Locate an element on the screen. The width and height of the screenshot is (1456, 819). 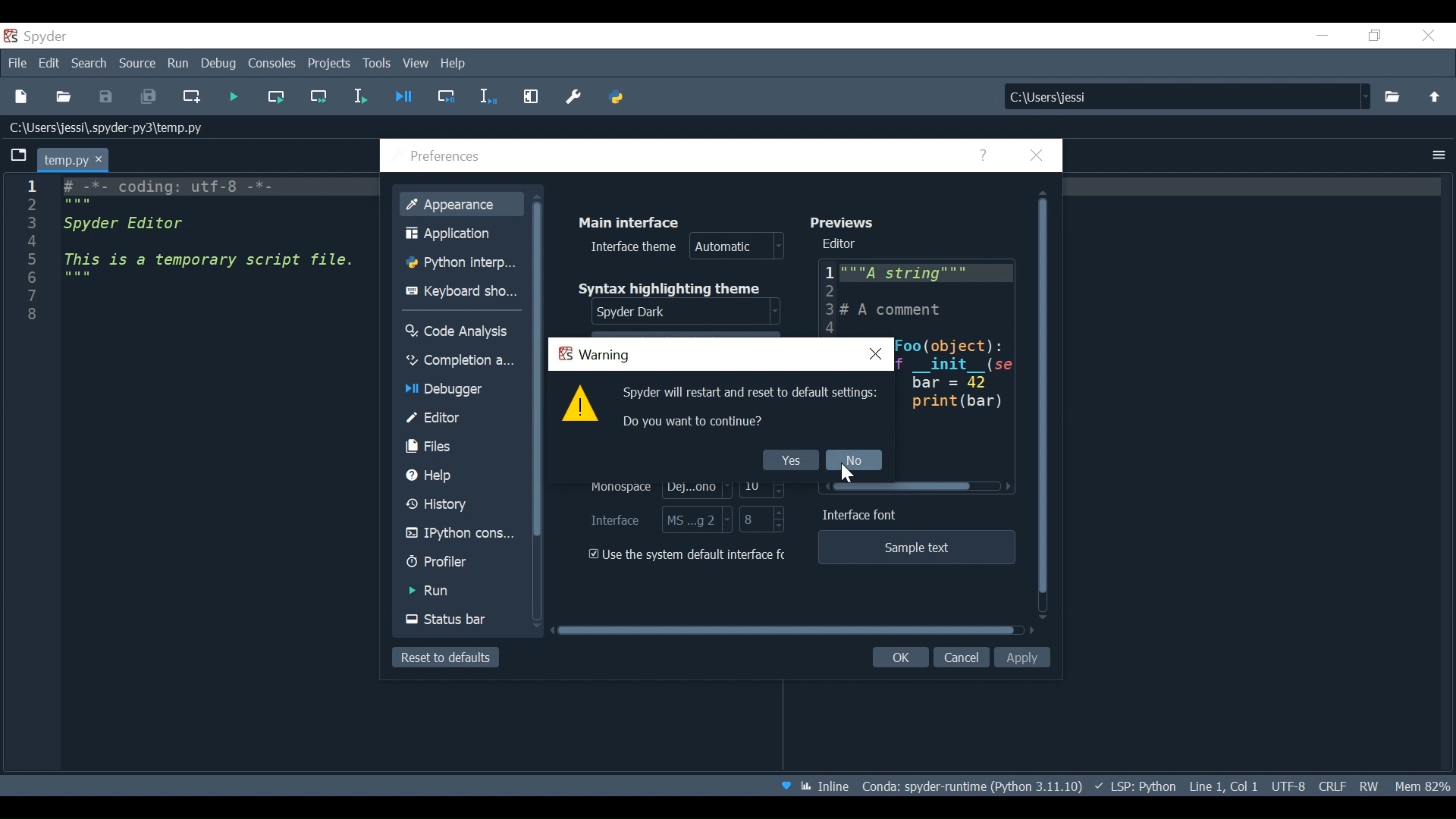
Debug cell is located at coordinates (444, 99).